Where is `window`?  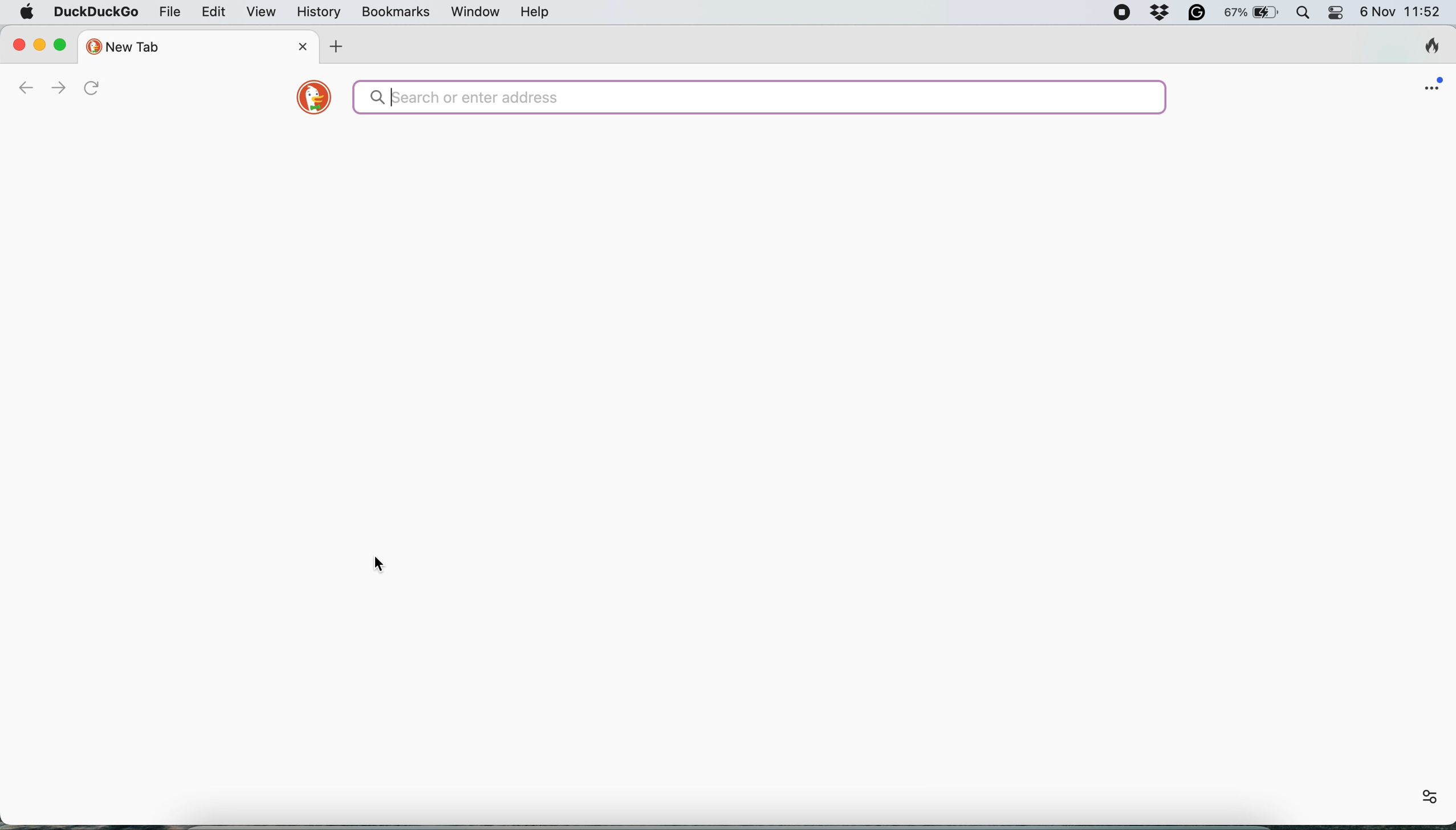 window is located at coordinates (471, 11).